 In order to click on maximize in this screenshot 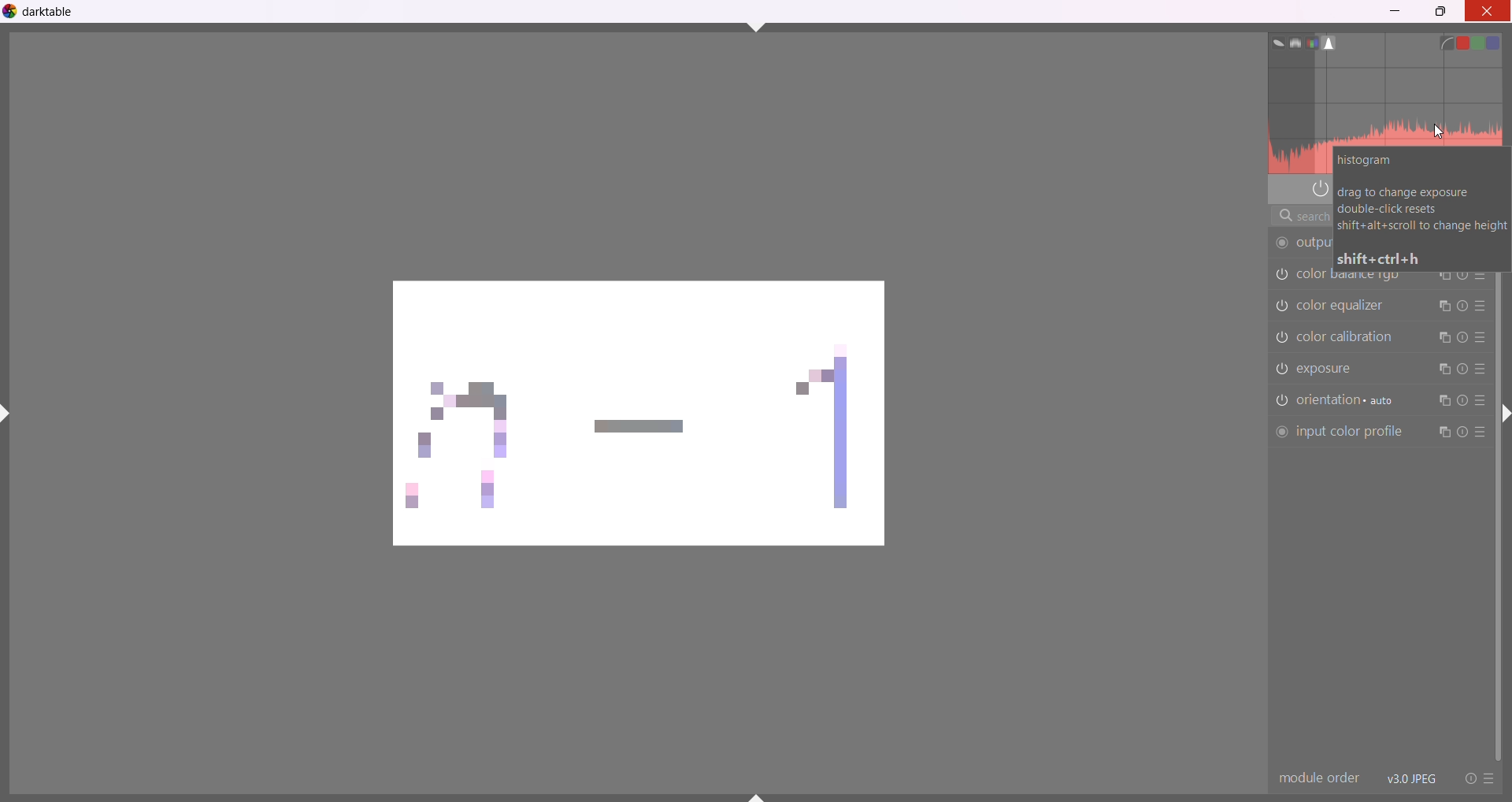, I will do `click(1442, 13)`.